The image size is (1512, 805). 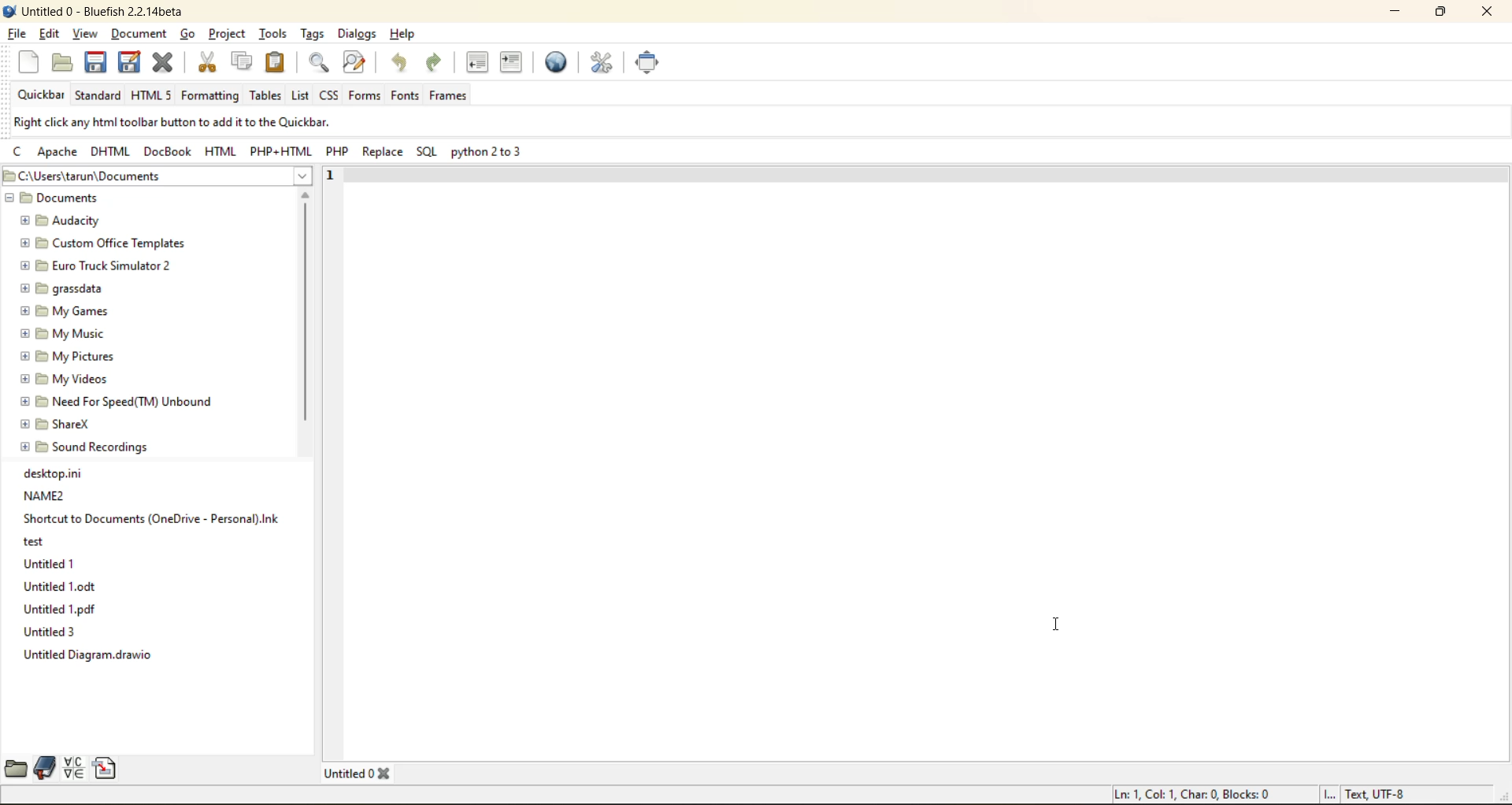 I want to click on open, so click(x=61, y=63).